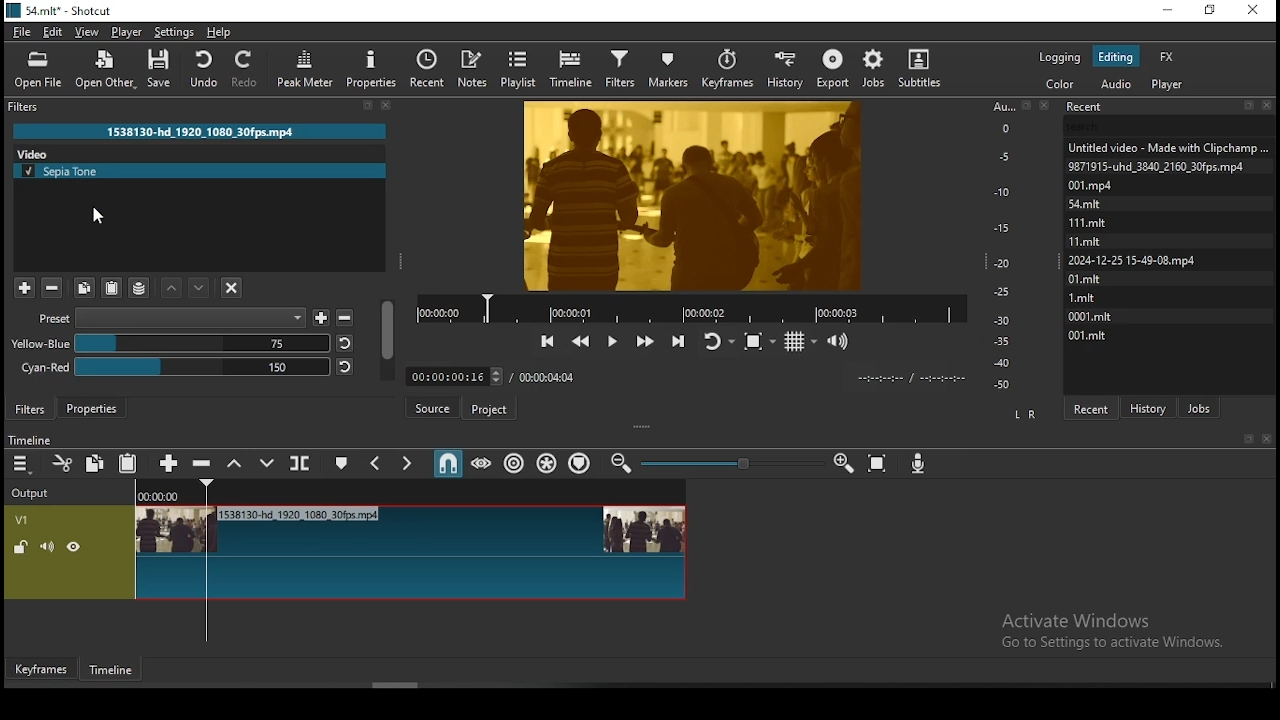  I want to click on S4.mit* - Shotcut, so click(59, 10).